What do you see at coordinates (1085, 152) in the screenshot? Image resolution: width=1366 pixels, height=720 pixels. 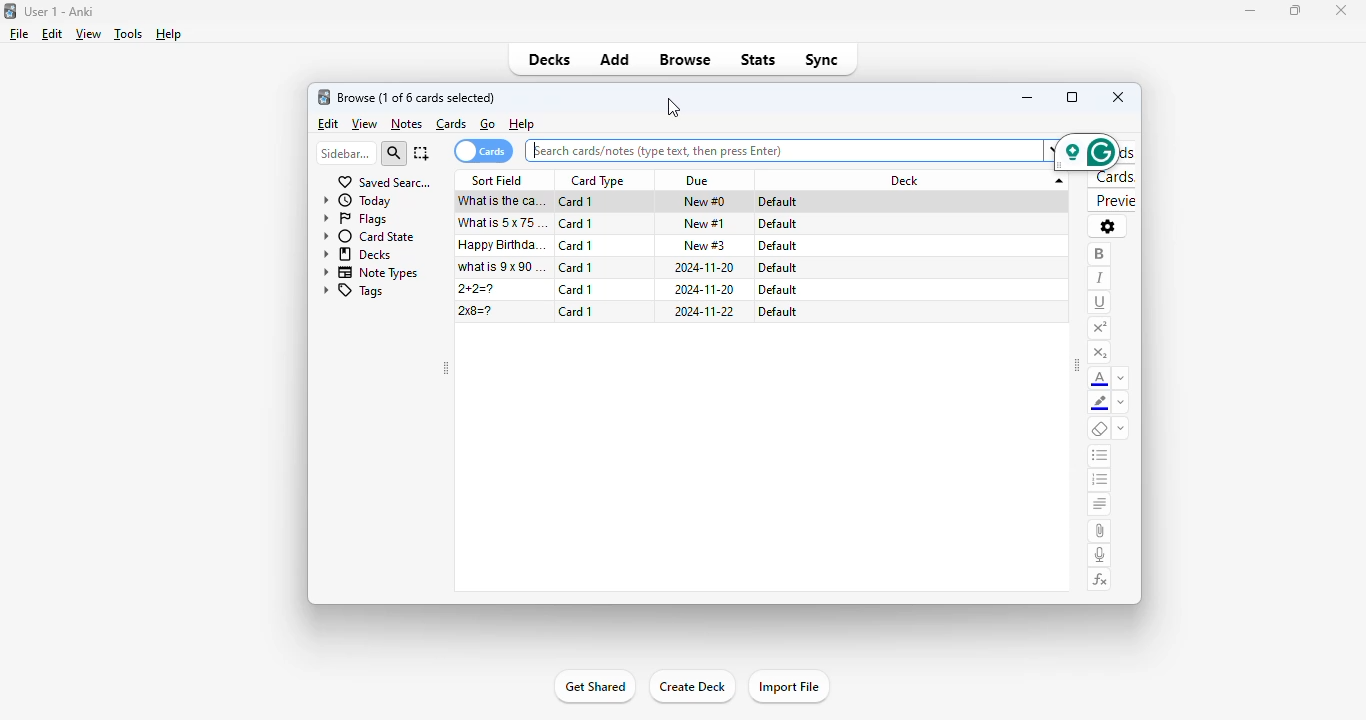 I see `grammarly extension` at bounding box center [1085, 152].